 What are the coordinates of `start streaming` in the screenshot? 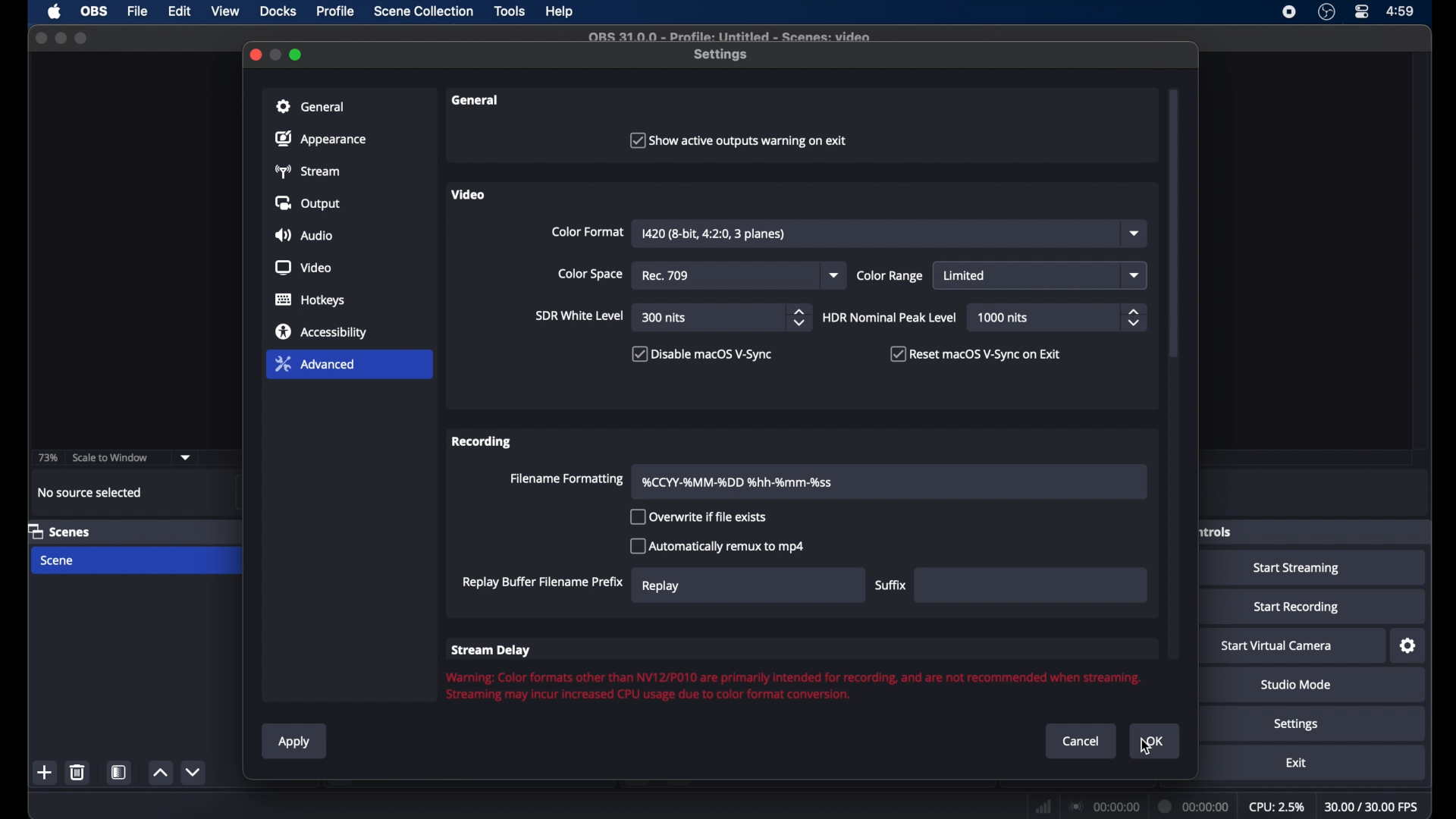 It's located at (1297, 570).